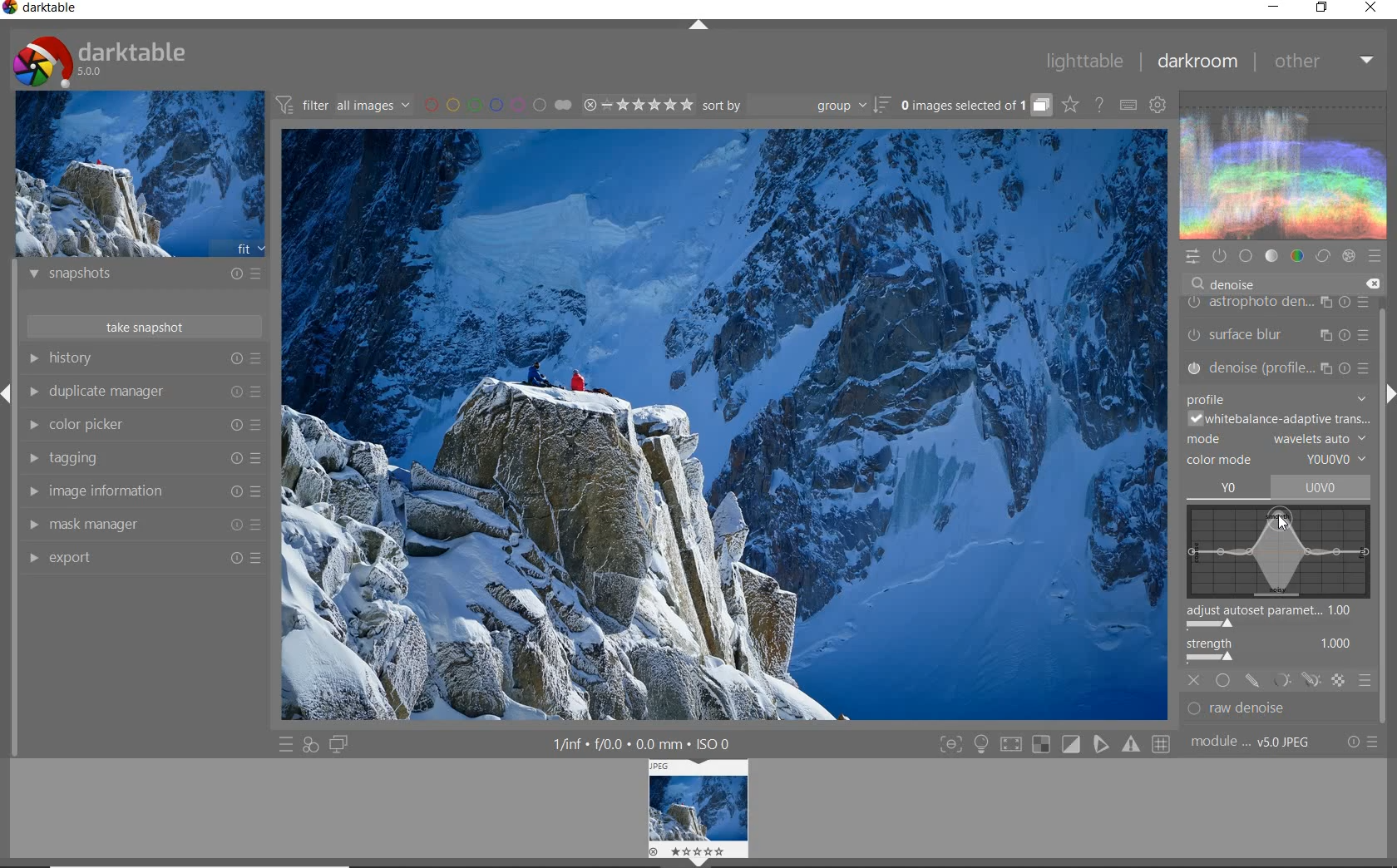 The height and width of the screenshot is (868, 1397). What do you see at coordinates (1278, 551) in the screenshot?
I see `WAVELETS MAP` at bounding box center [1278, 551].